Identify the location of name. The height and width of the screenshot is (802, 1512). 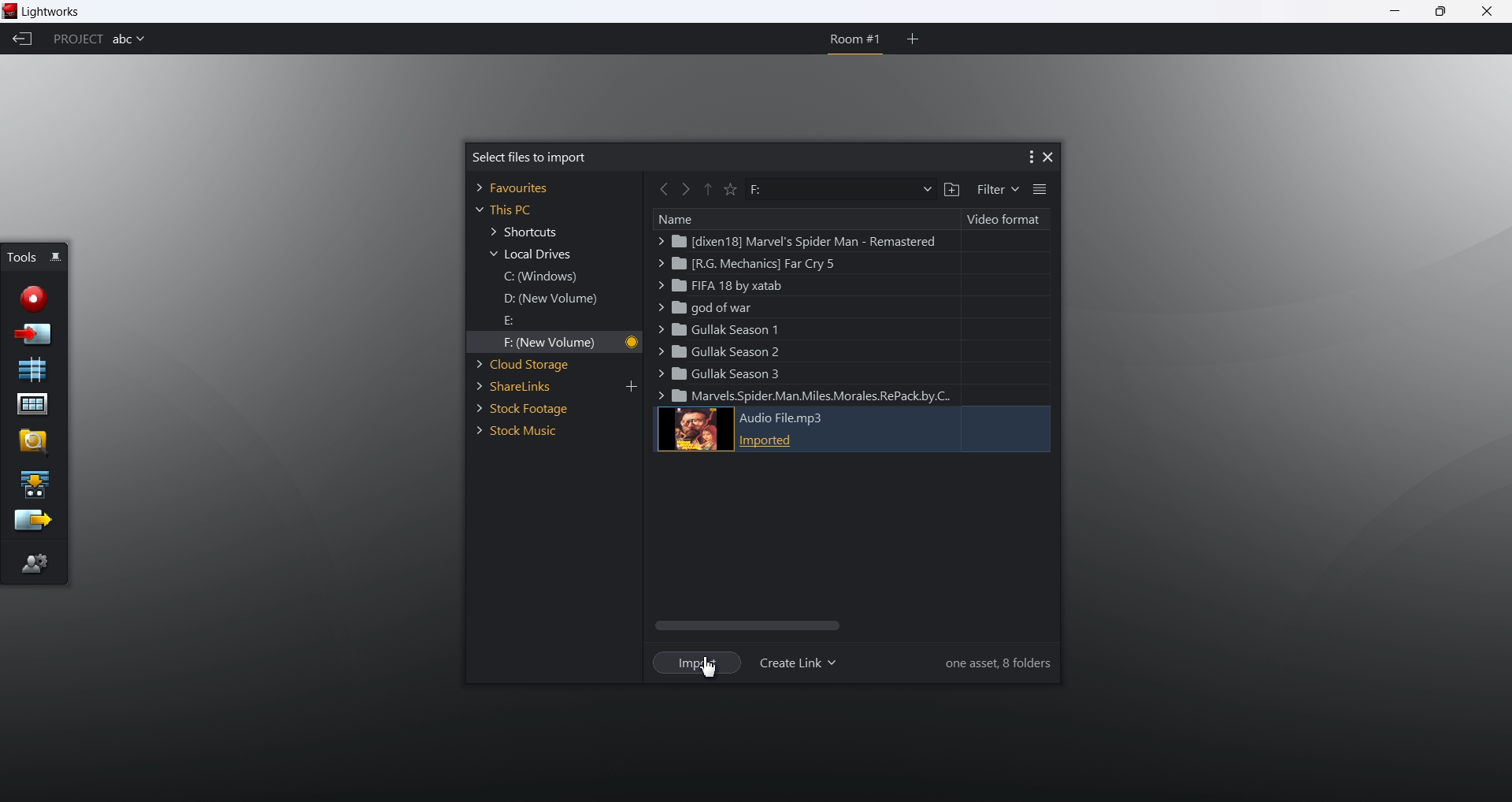
(678, 217).